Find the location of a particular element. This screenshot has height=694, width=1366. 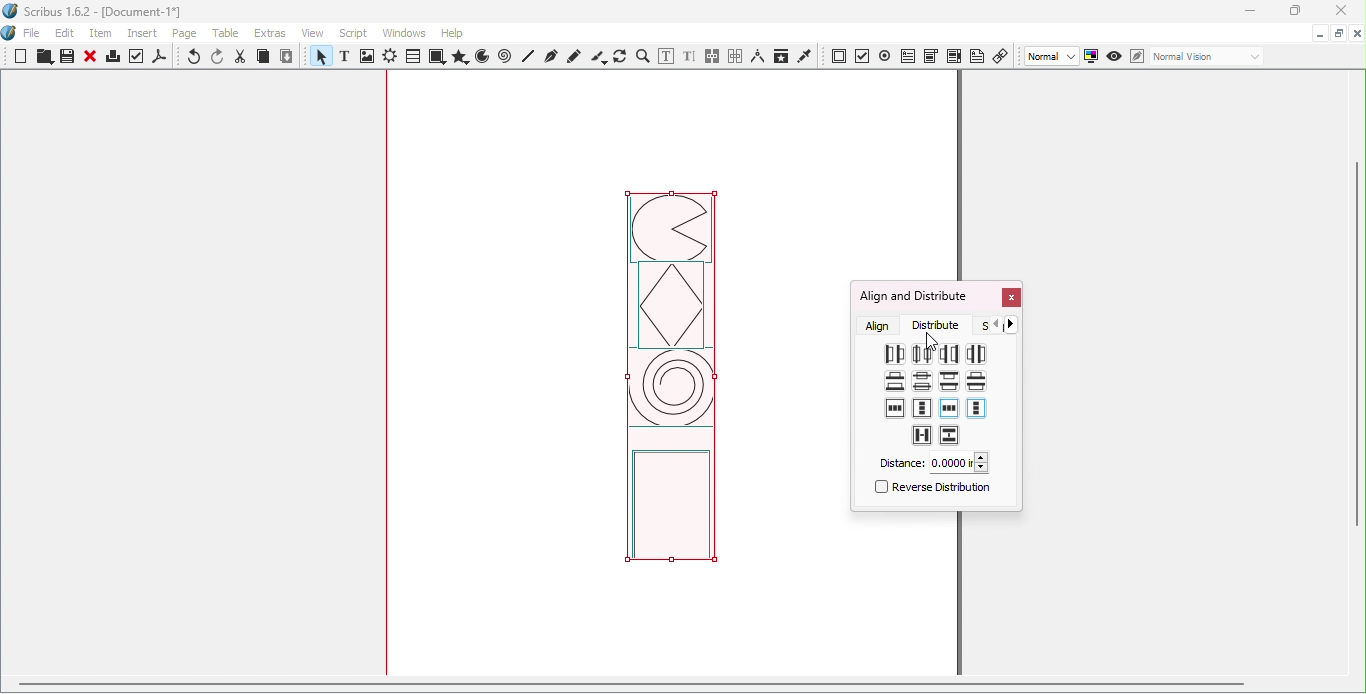

Freehand line is located at coordinates (575, 56).